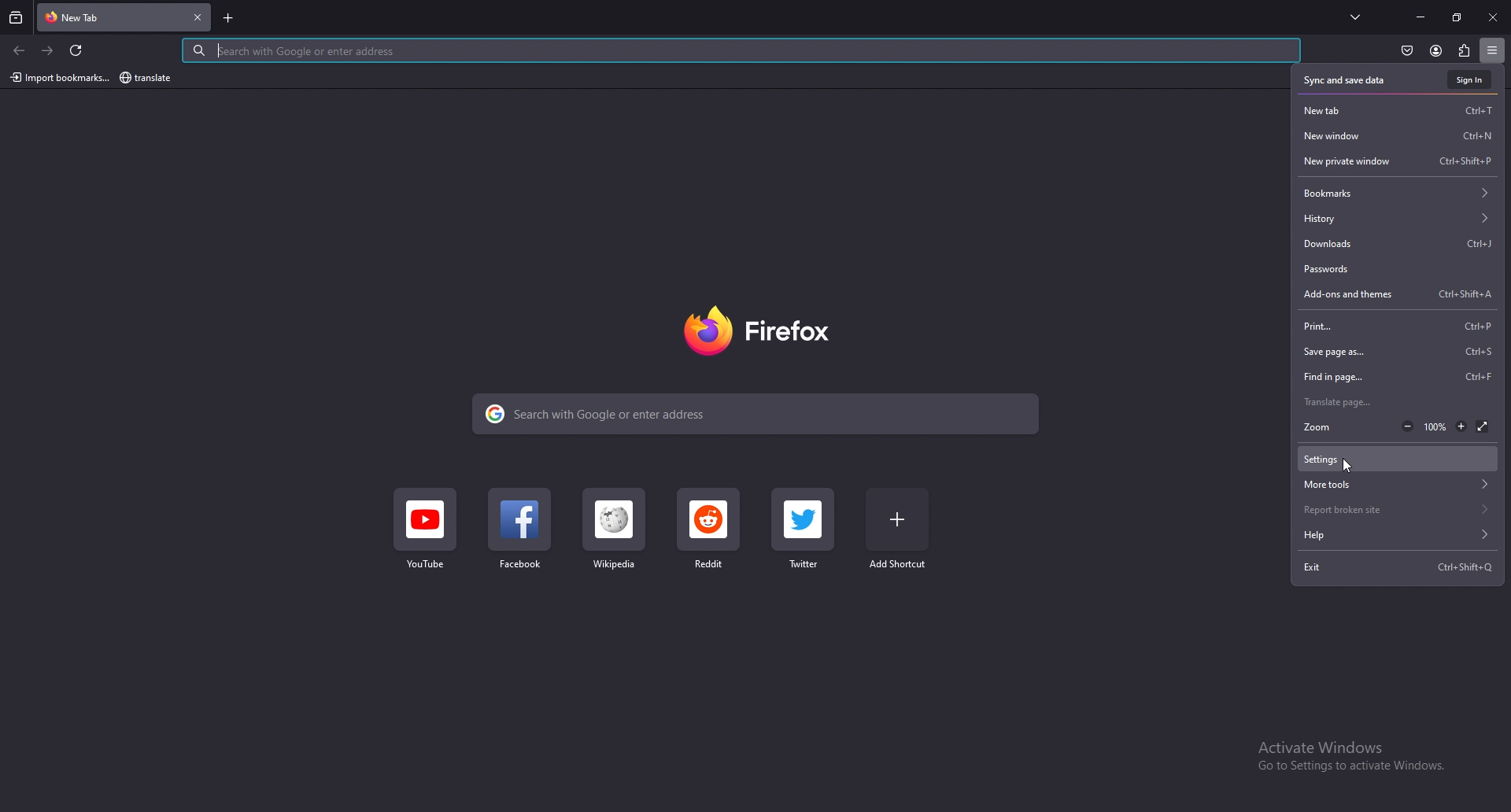  What do you see at coordinates (147, 79) in the screenshot?
I see `bookmark` at bounding box center [147, 79].